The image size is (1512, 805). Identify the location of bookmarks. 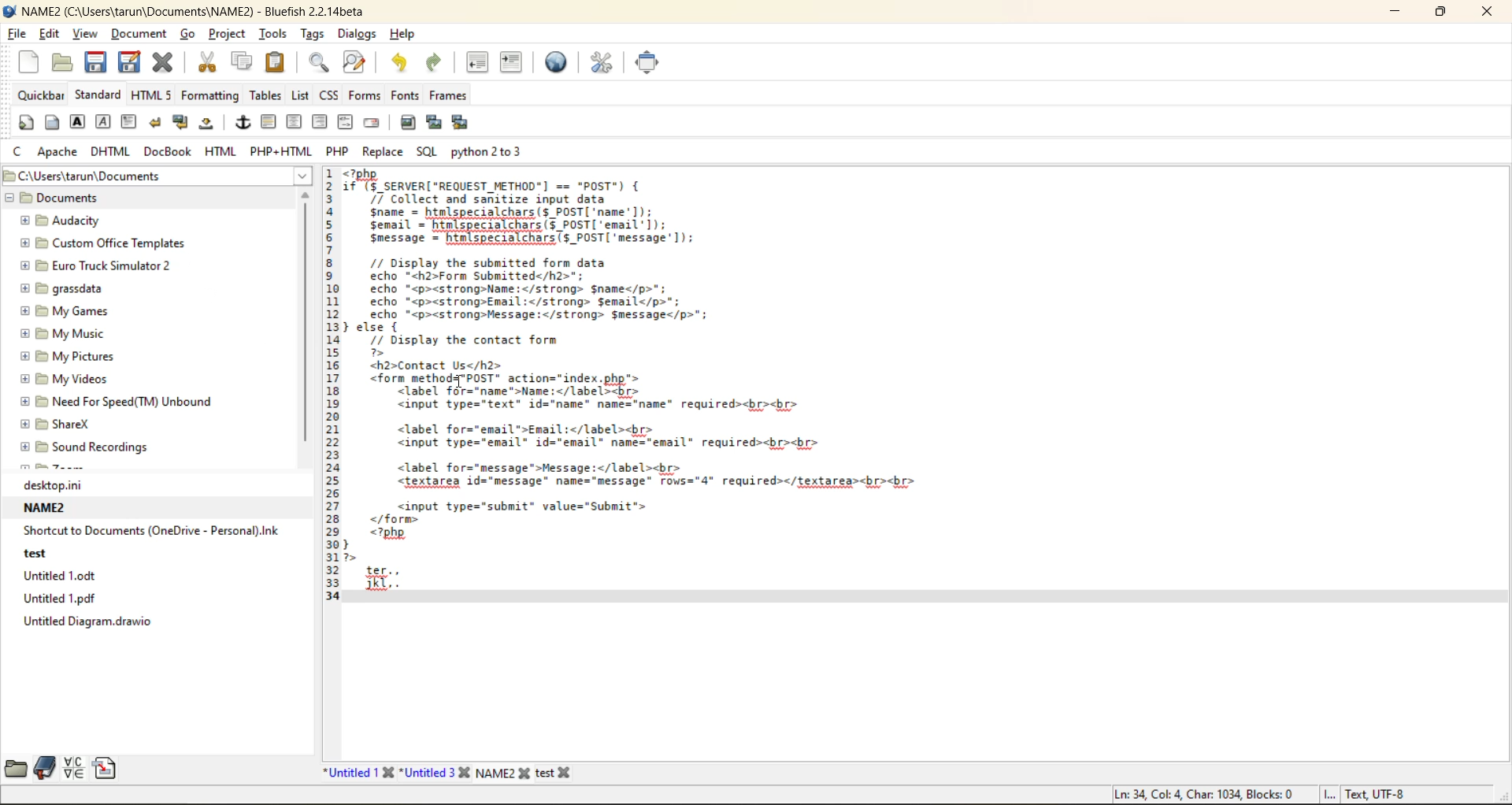
(46, 767).